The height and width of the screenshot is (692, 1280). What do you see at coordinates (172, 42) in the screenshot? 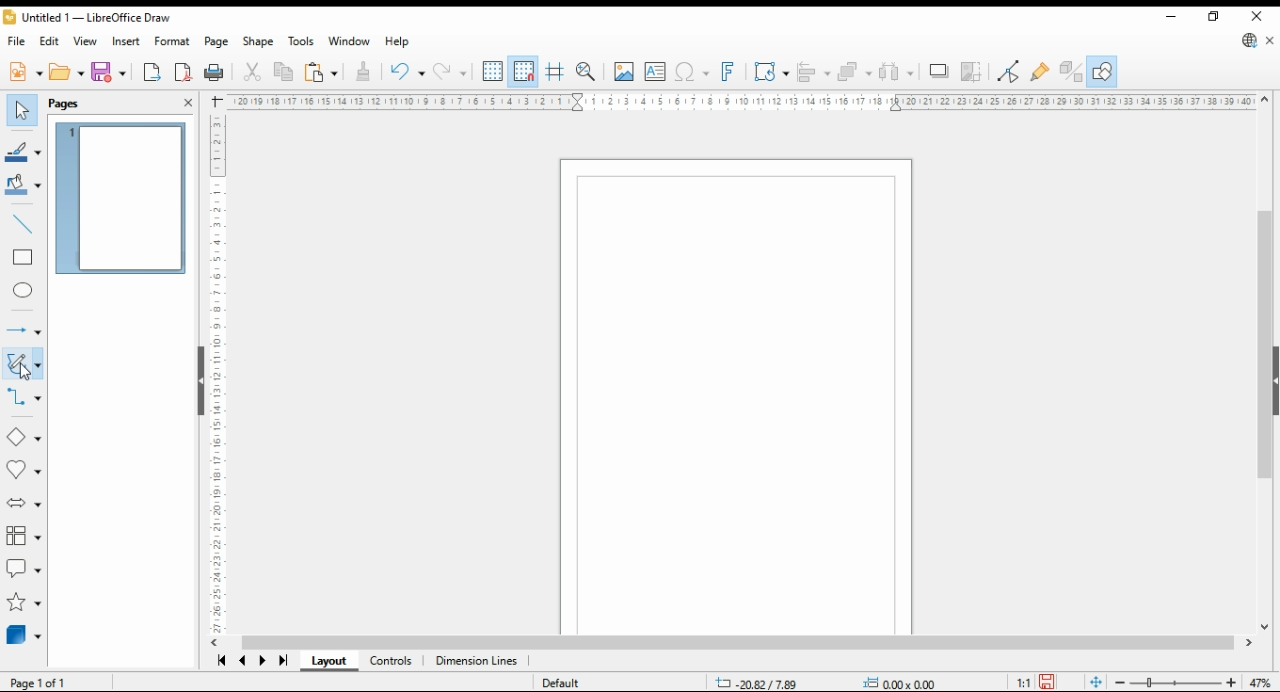
I see `format` at bounding box center [172, 42].